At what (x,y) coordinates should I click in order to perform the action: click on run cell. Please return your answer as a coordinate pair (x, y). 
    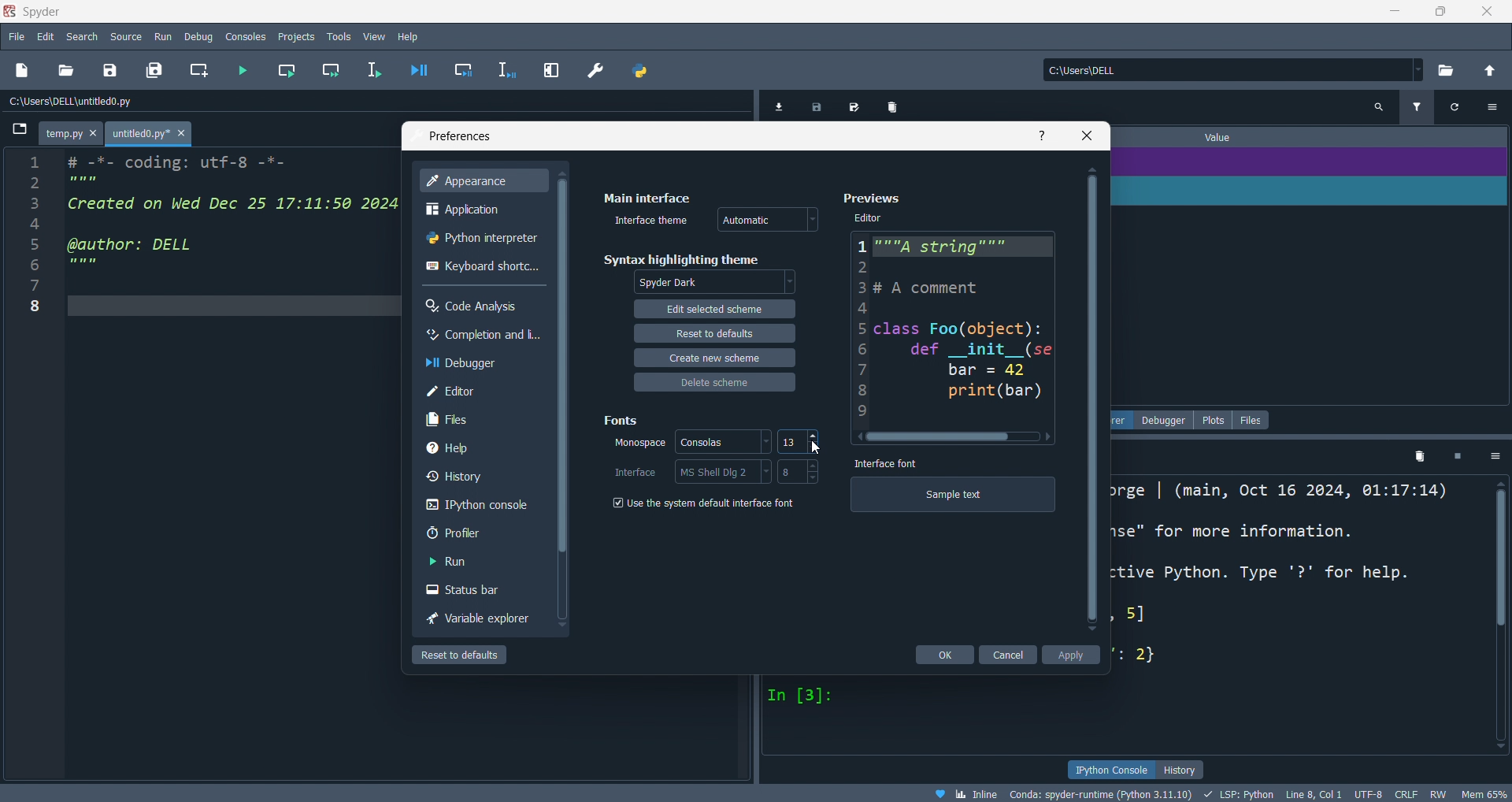
    Looking at the image, I should click on (290, 70).